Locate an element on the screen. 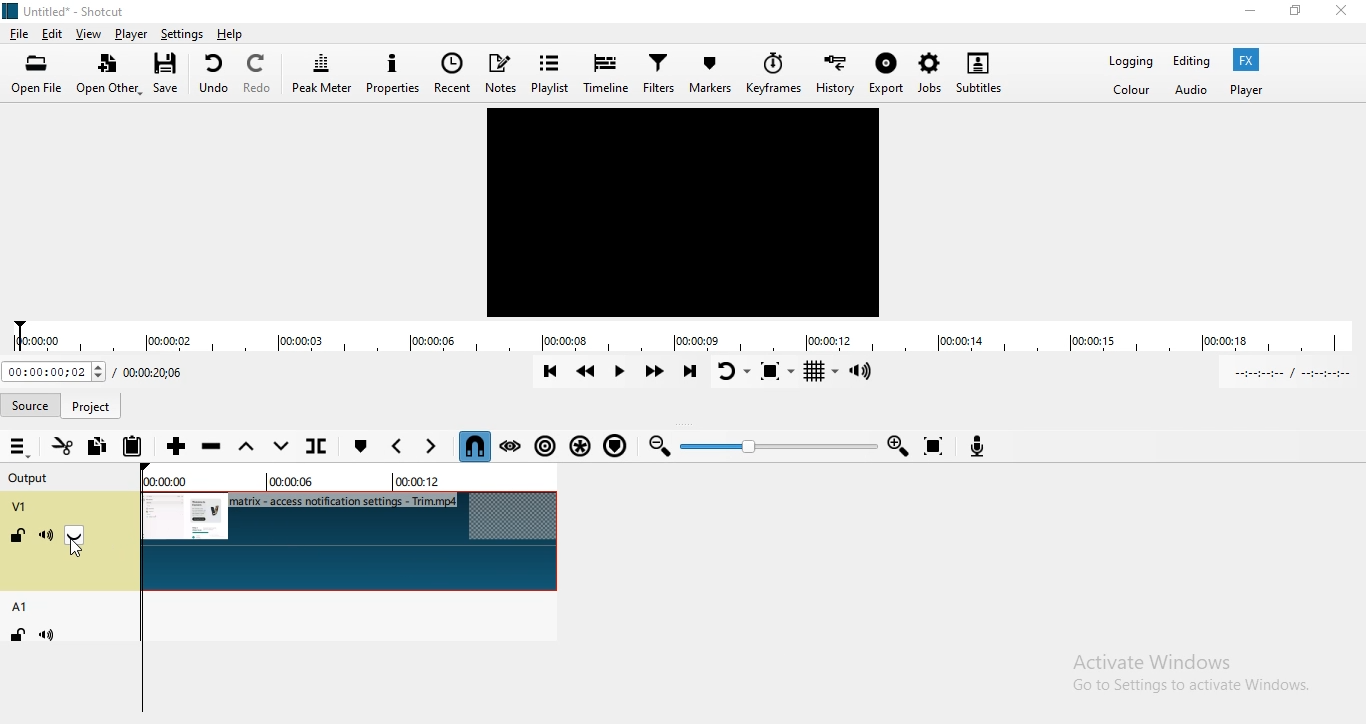  Open other  is located at coordinates (110, 76).